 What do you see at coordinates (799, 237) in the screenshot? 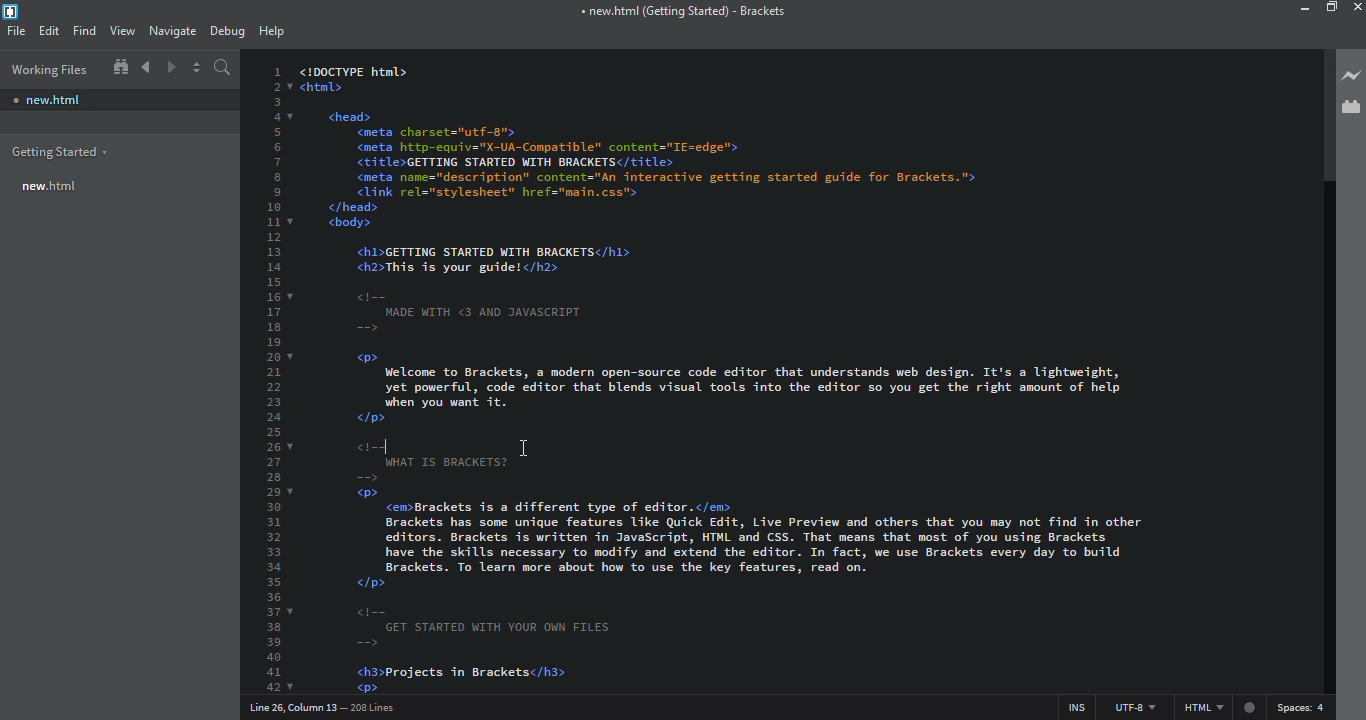
I see `test code` at bounding box center [799, 237].